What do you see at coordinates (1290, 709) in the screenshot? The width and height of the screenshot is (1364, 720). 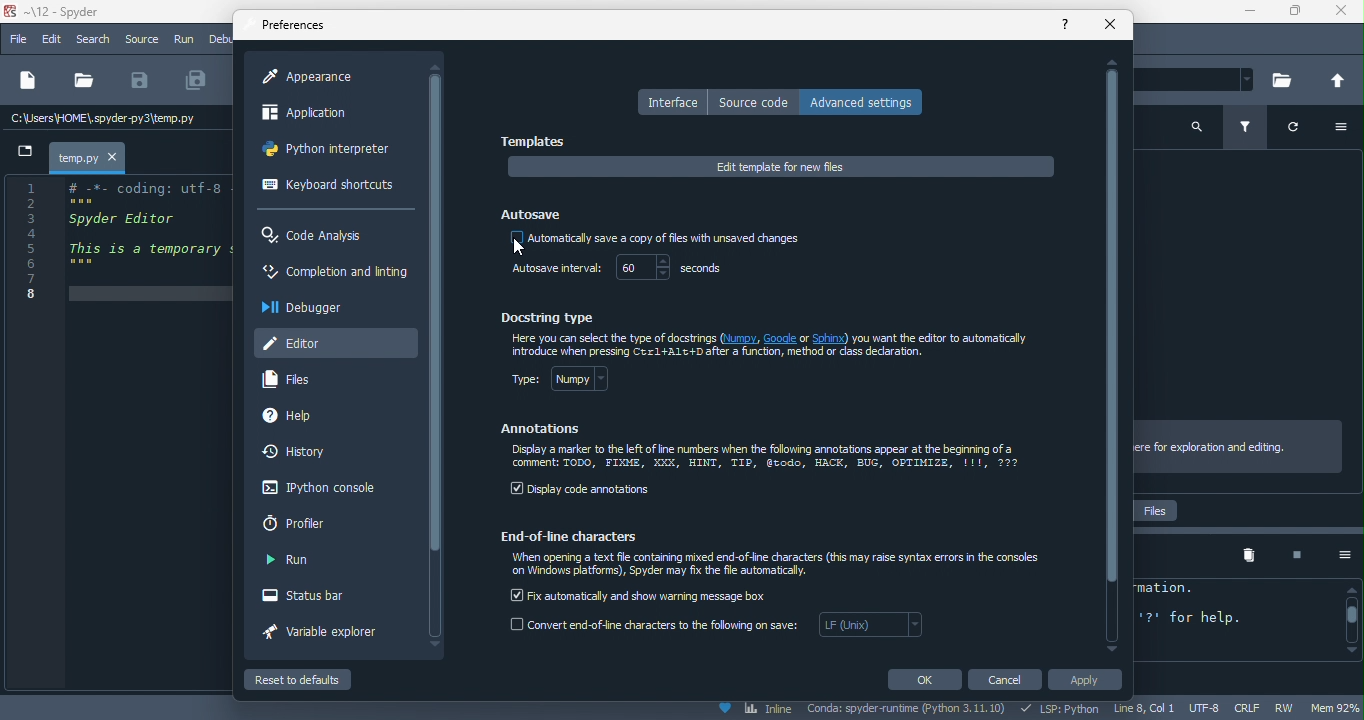 I see `rw` at bounding box center [1290, 709].